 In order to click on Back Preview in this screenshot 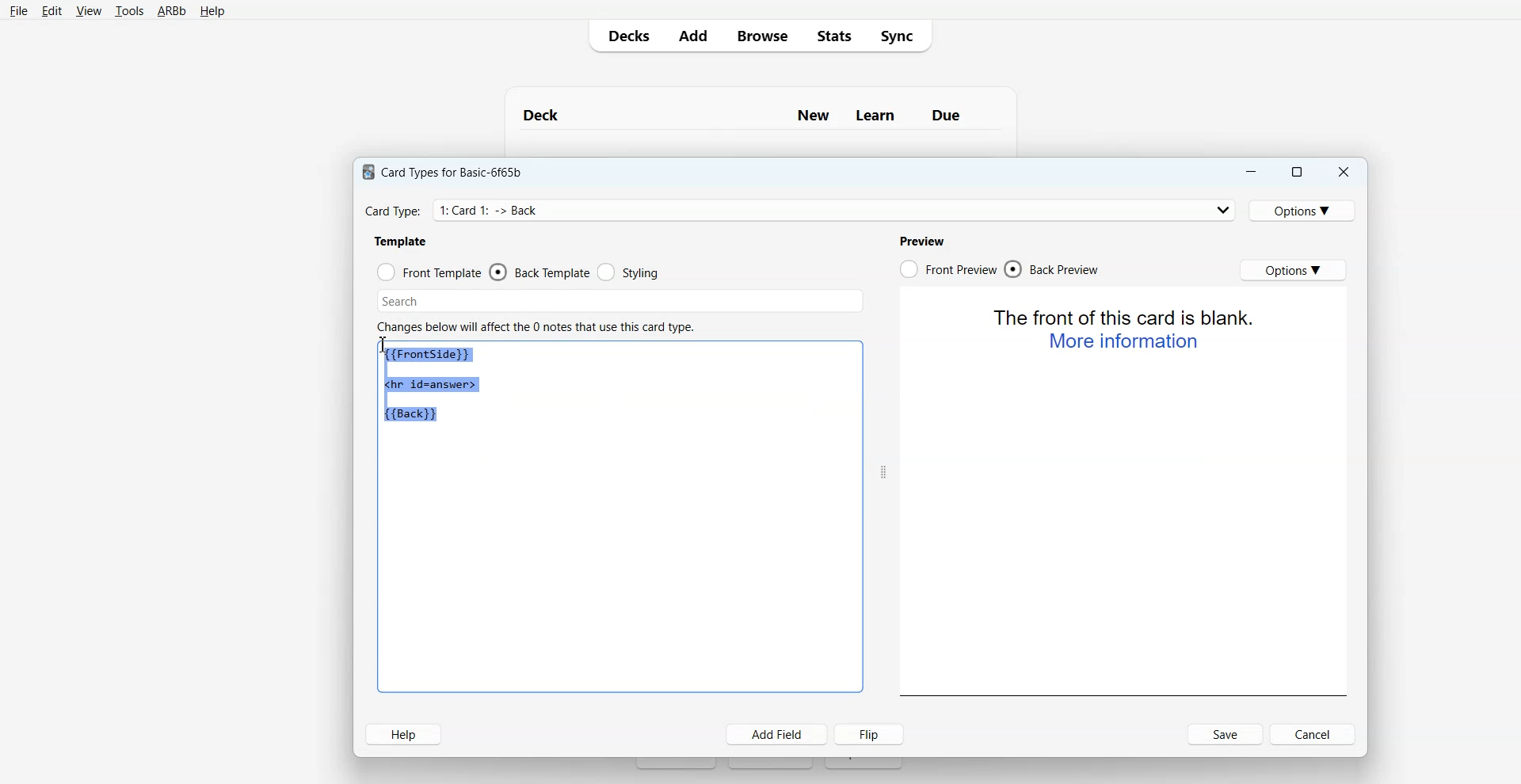, I will do `click(1054, 269)`.